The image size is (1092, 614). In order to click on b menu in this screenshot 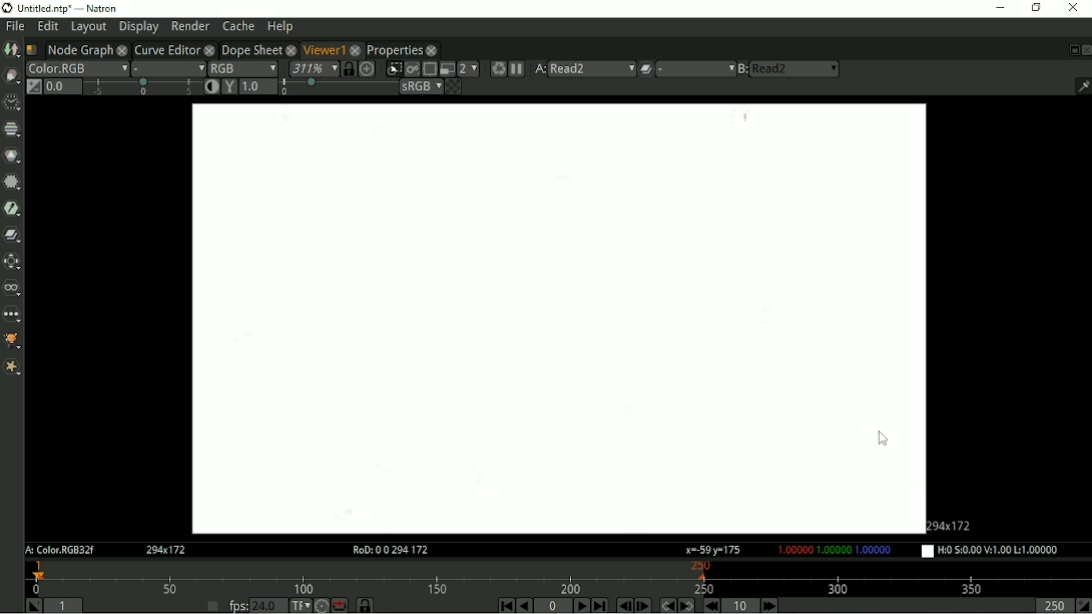, I will do `click(797, 69)`.